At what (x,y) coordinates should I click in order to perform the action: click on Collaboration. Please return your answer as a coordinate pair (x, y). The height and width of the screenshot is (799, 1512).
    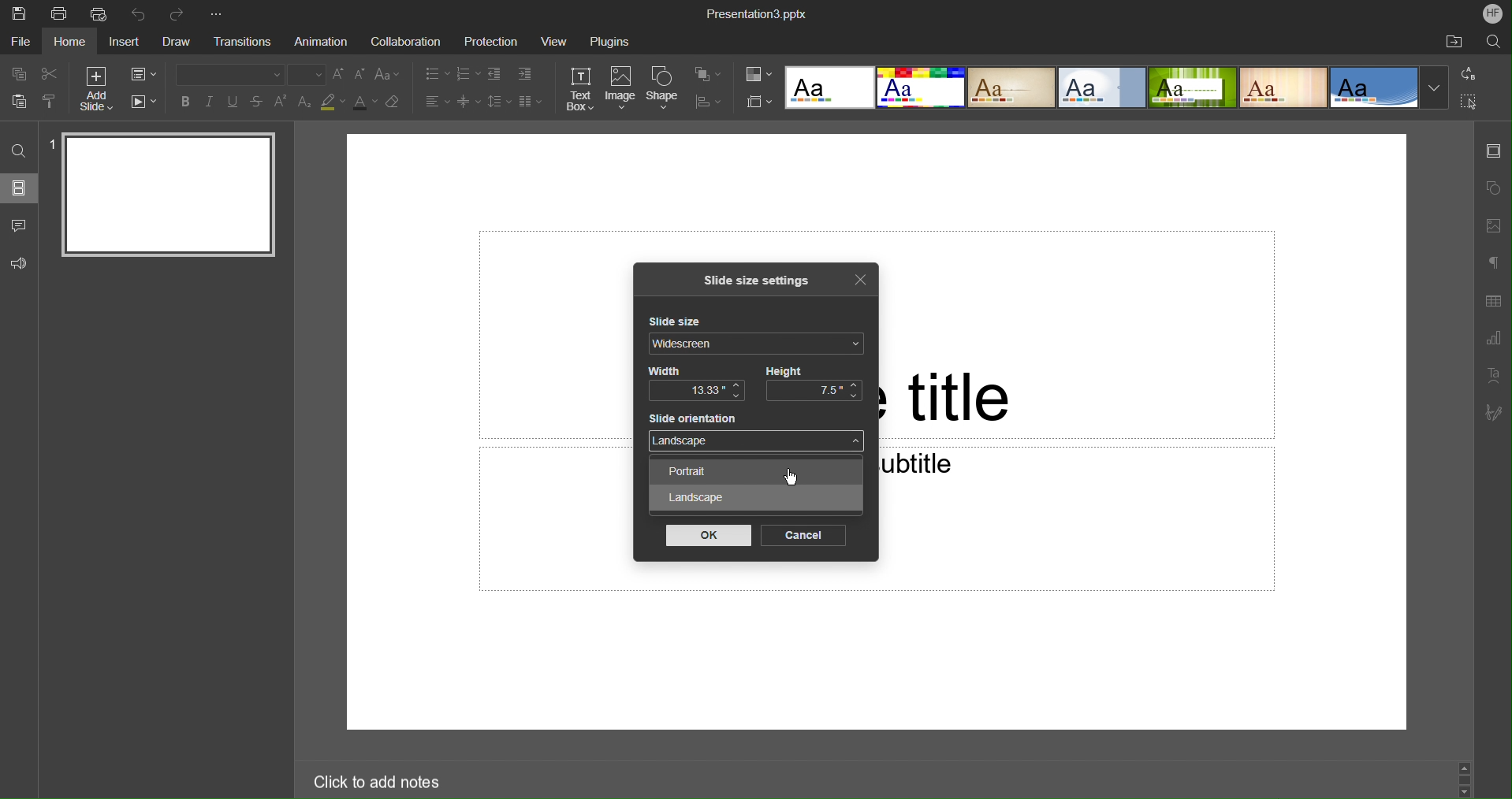
    Looking at the image, I should click on (406, 43).